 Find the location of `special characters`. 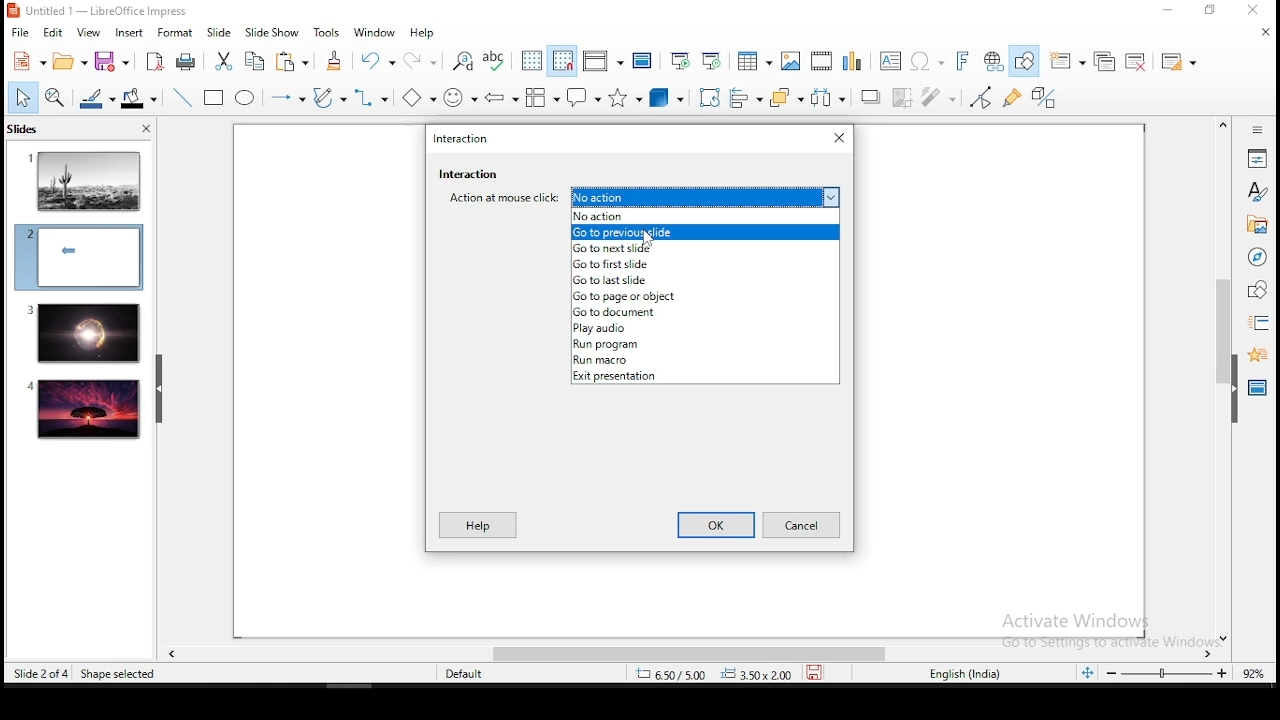

special characters is located at coordinates (924, 62).